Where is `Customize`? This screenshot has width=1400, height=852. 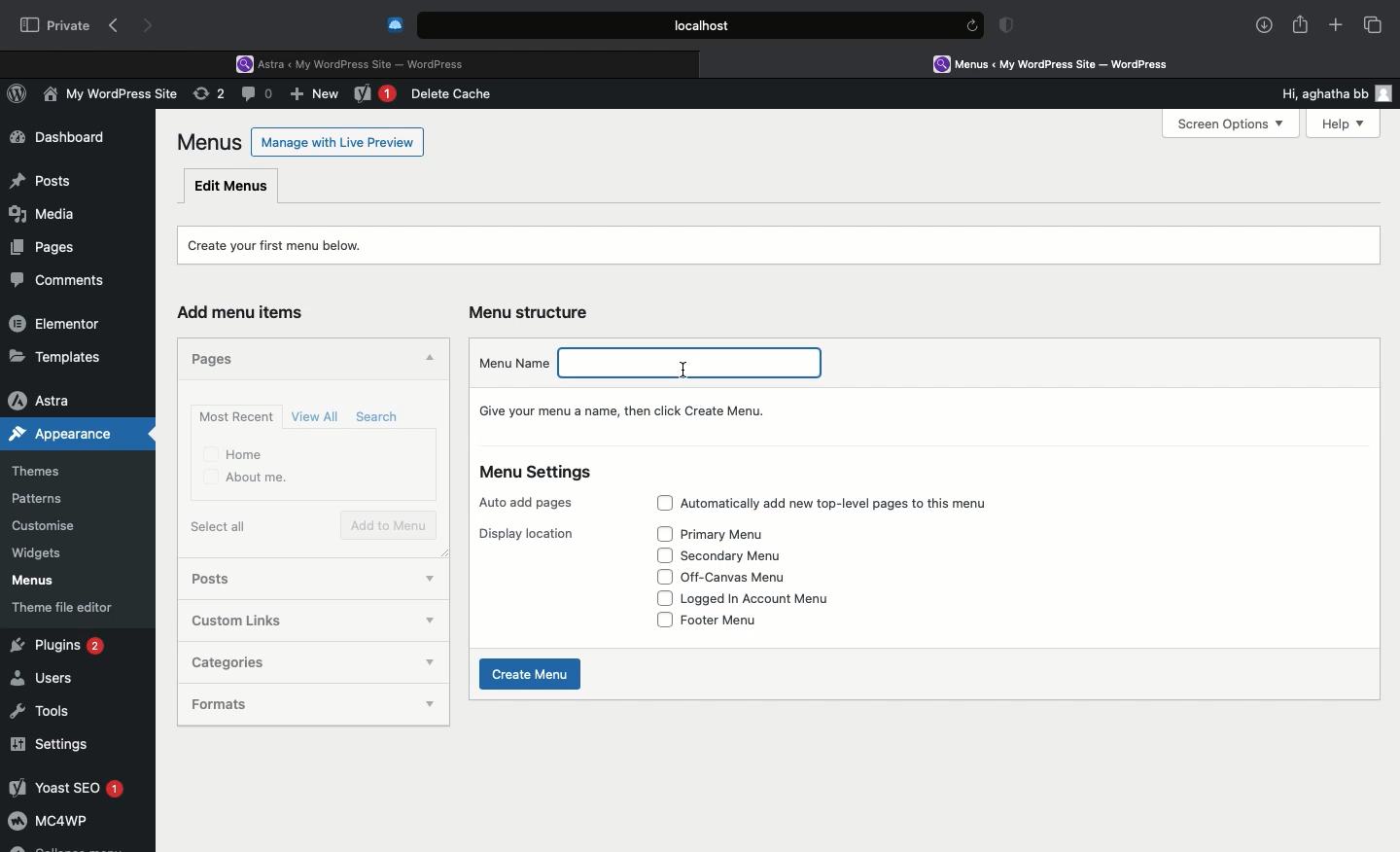
Customize is located at coordinates (47, 529).